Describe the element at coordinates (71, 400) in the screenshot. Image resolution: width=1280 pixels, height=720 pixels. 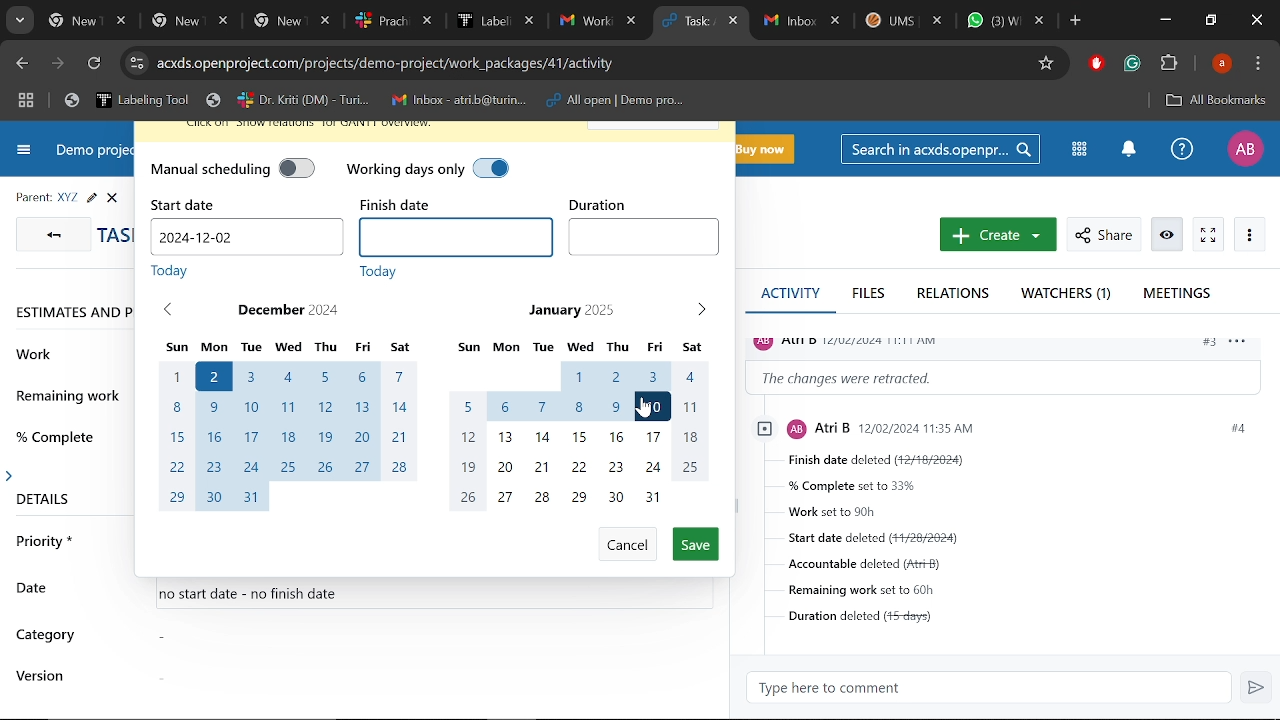
I see `remaining work` at that location.